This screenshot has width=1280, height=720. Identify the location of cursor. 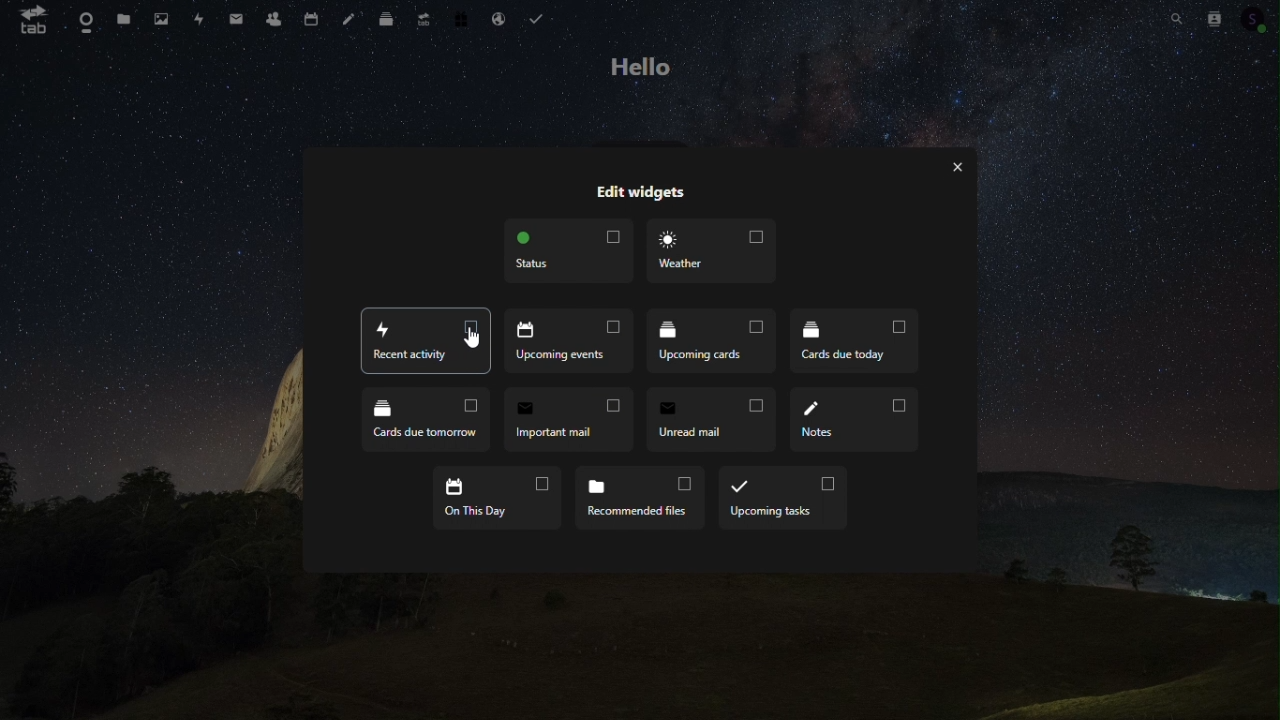
(470, 336).